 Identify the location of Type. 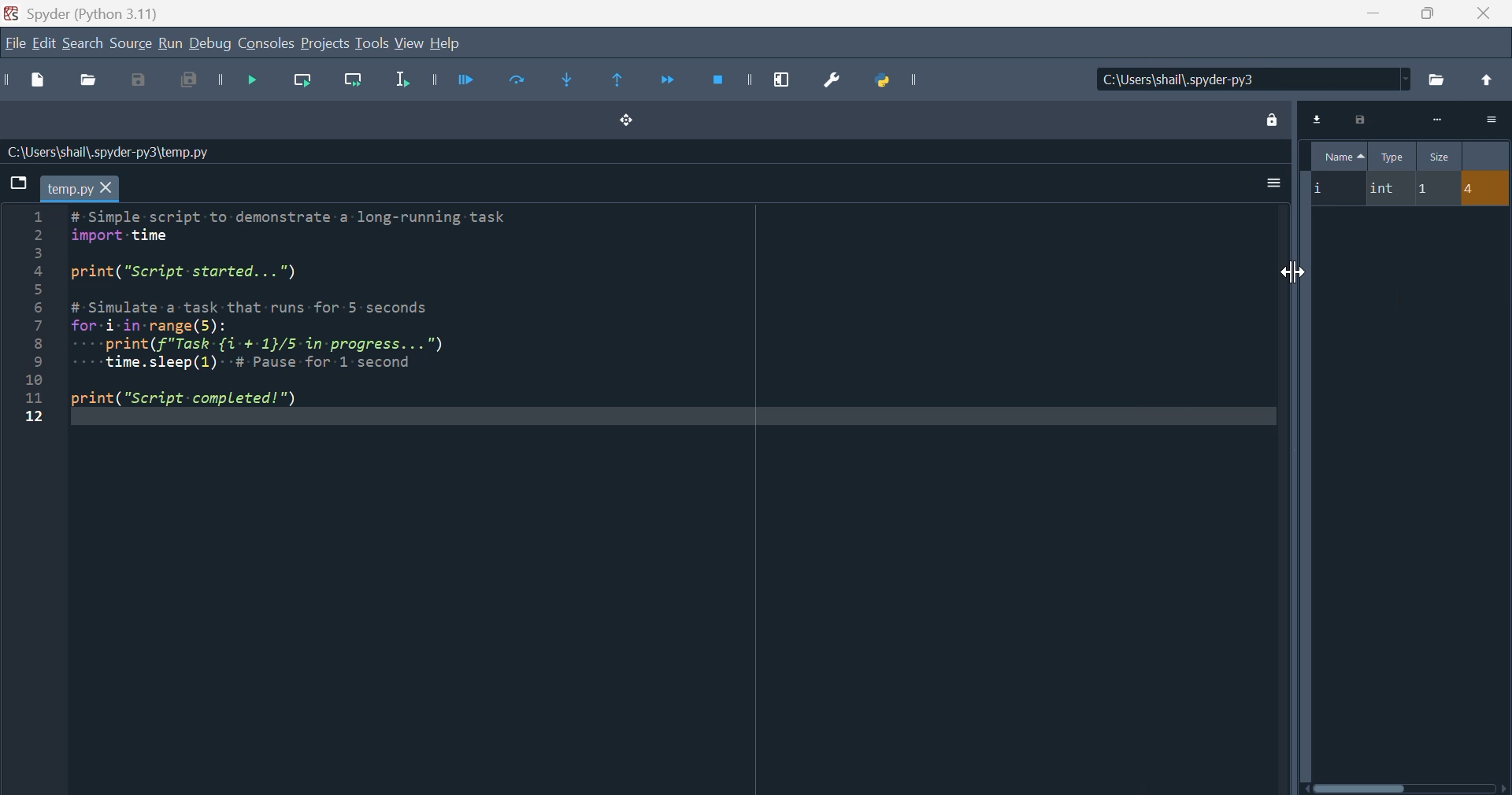
(1394, 156).